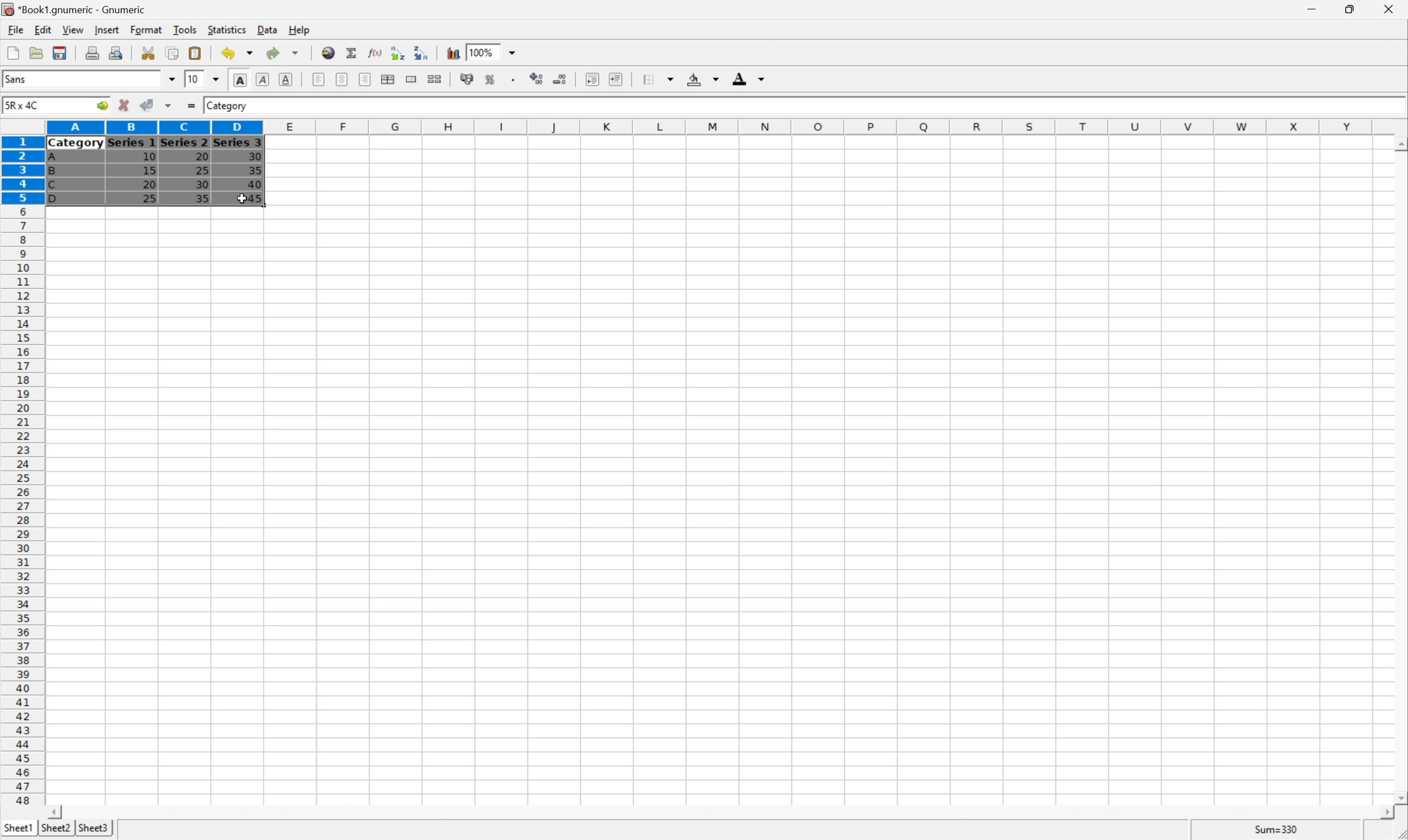 The width and height of the screenshot is (1408, 840). I want to click on Format the selection as accounting, so click(467, 80).